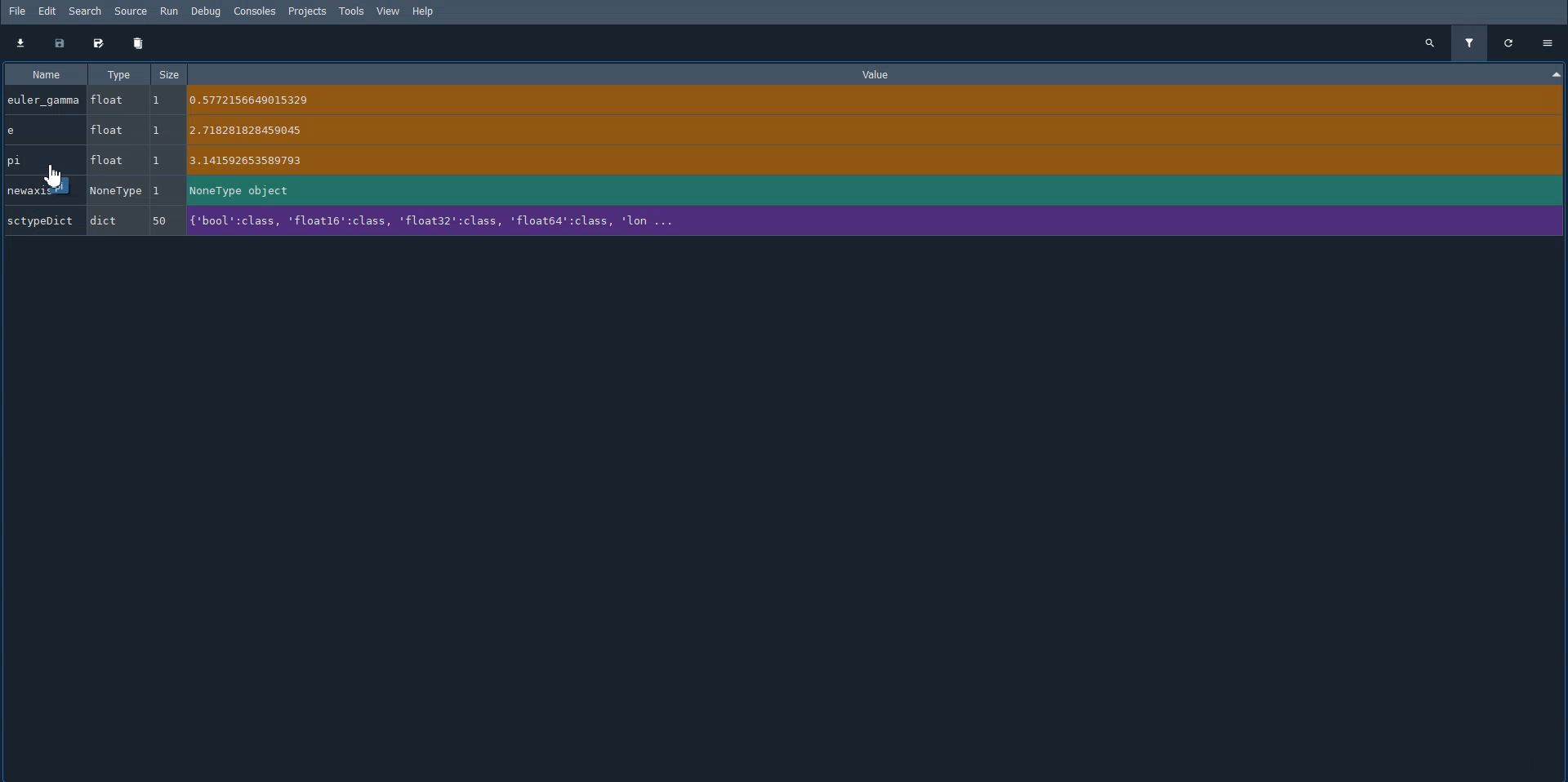  I want to click on Import data, so click(21, 43).